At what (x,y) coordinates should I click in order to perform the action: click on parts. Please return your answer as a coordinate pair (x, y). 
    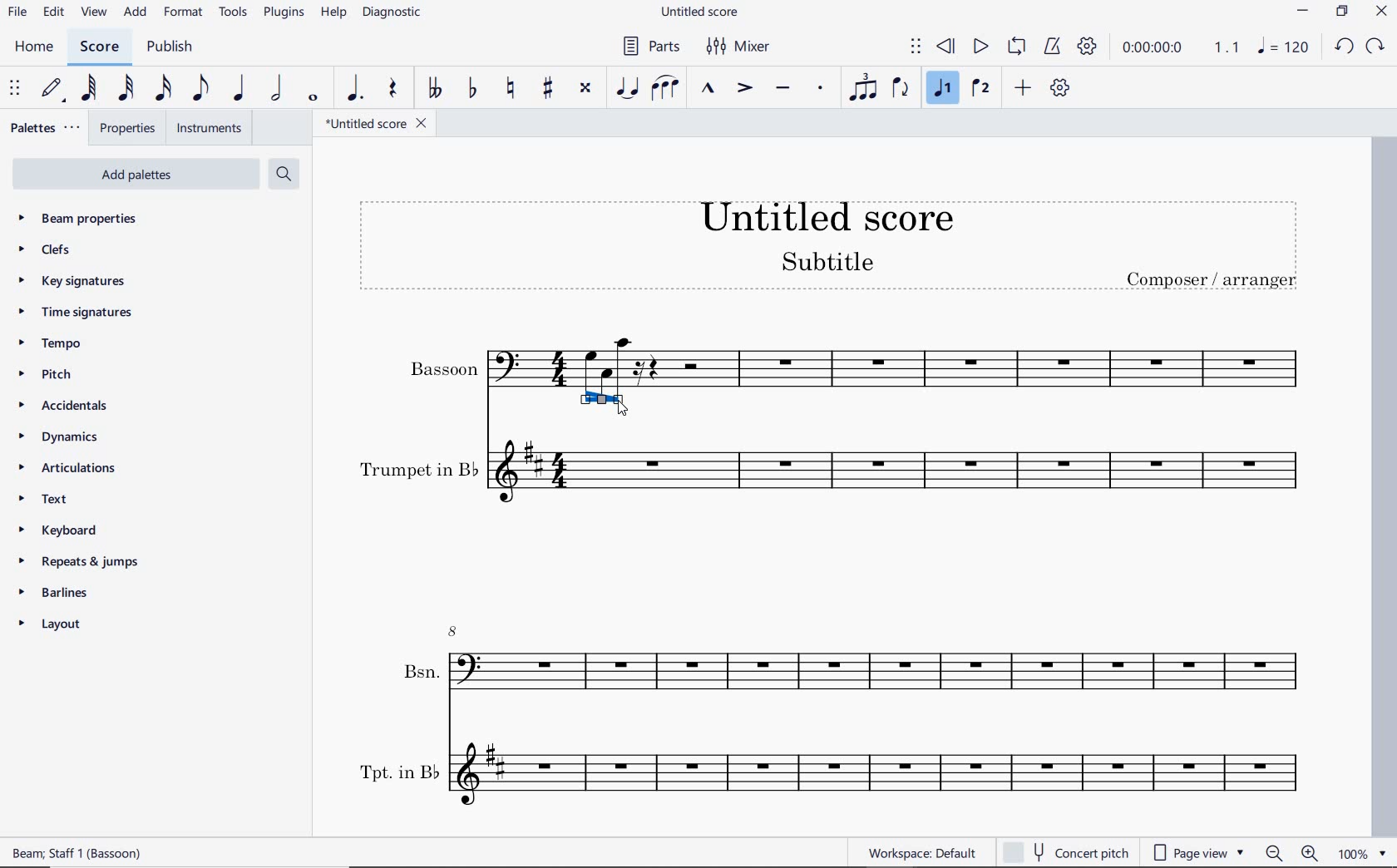
    Looking at the image, I should click on (653, 47).